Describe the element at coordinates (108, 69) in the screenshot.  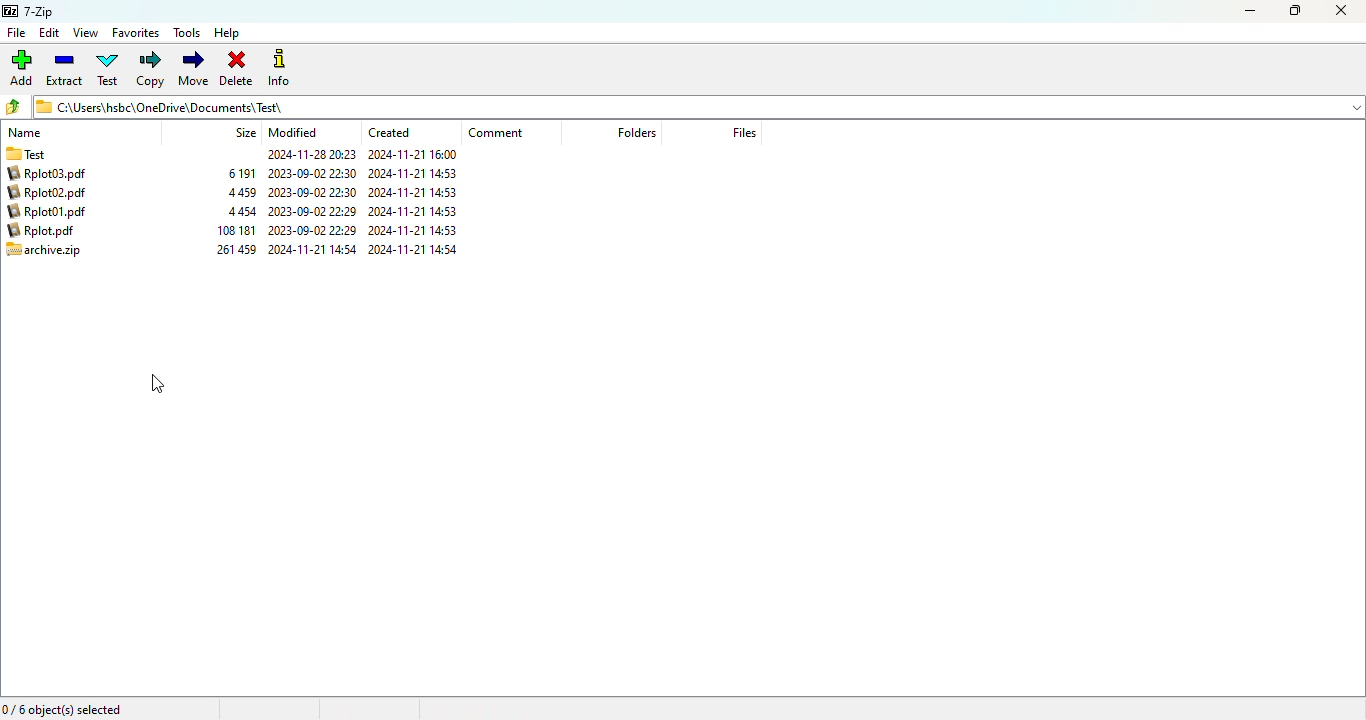
I see `test` at that location.